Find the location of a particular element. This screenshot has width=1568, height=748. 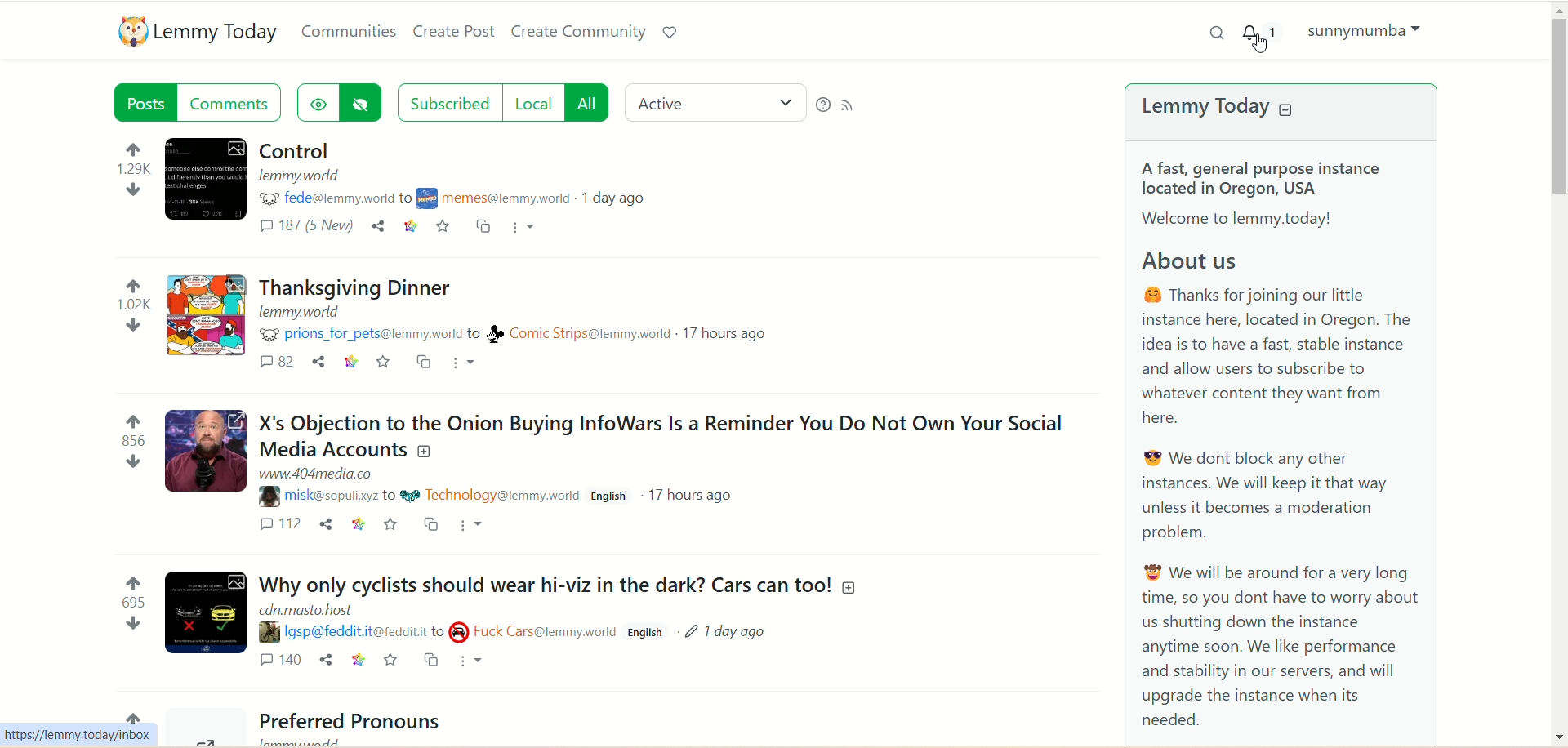

search is located at coordinates (1203, 33).